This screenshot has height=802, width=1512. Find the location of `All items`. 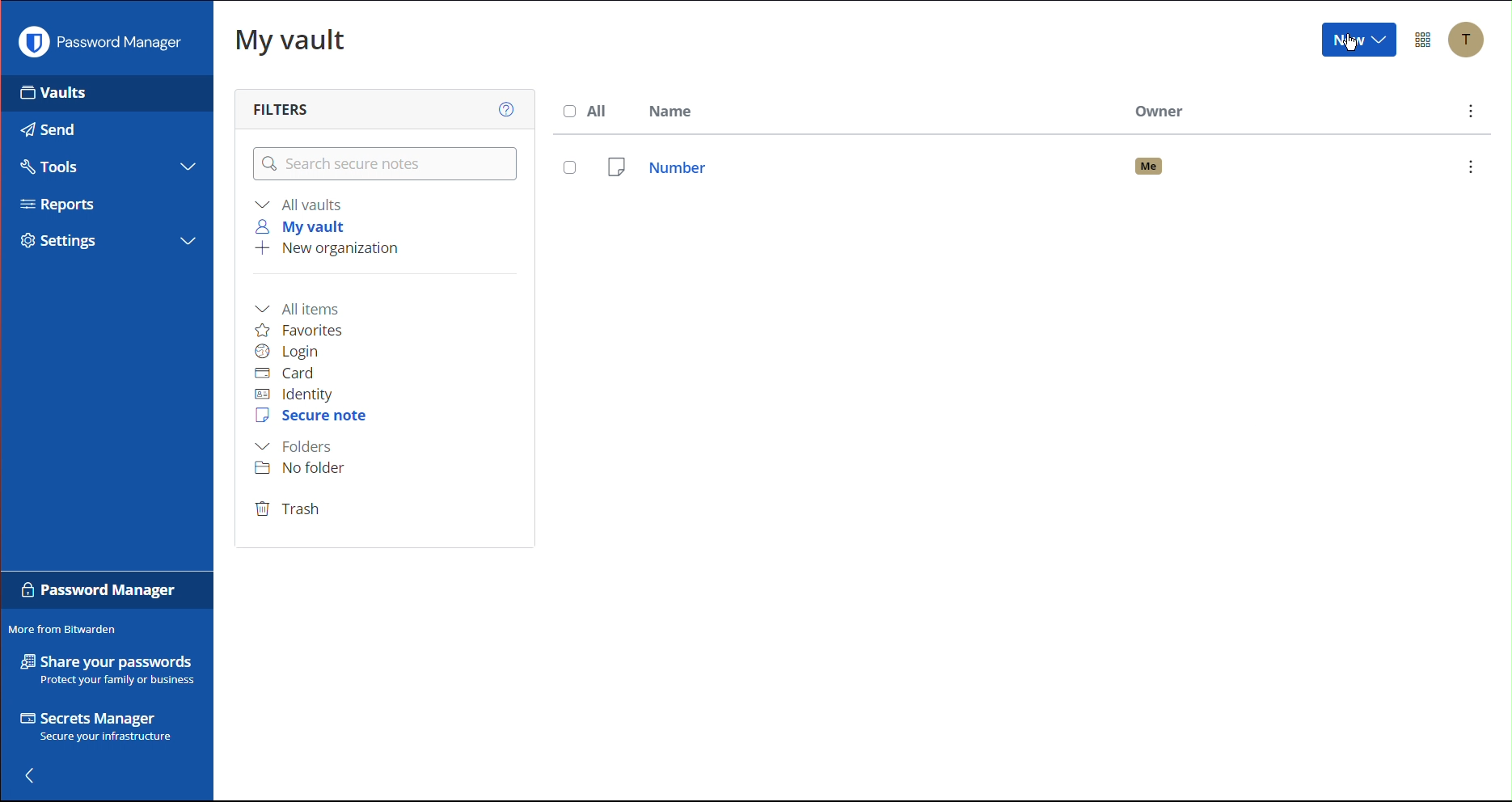

All items is located at coordinates (302, 307).